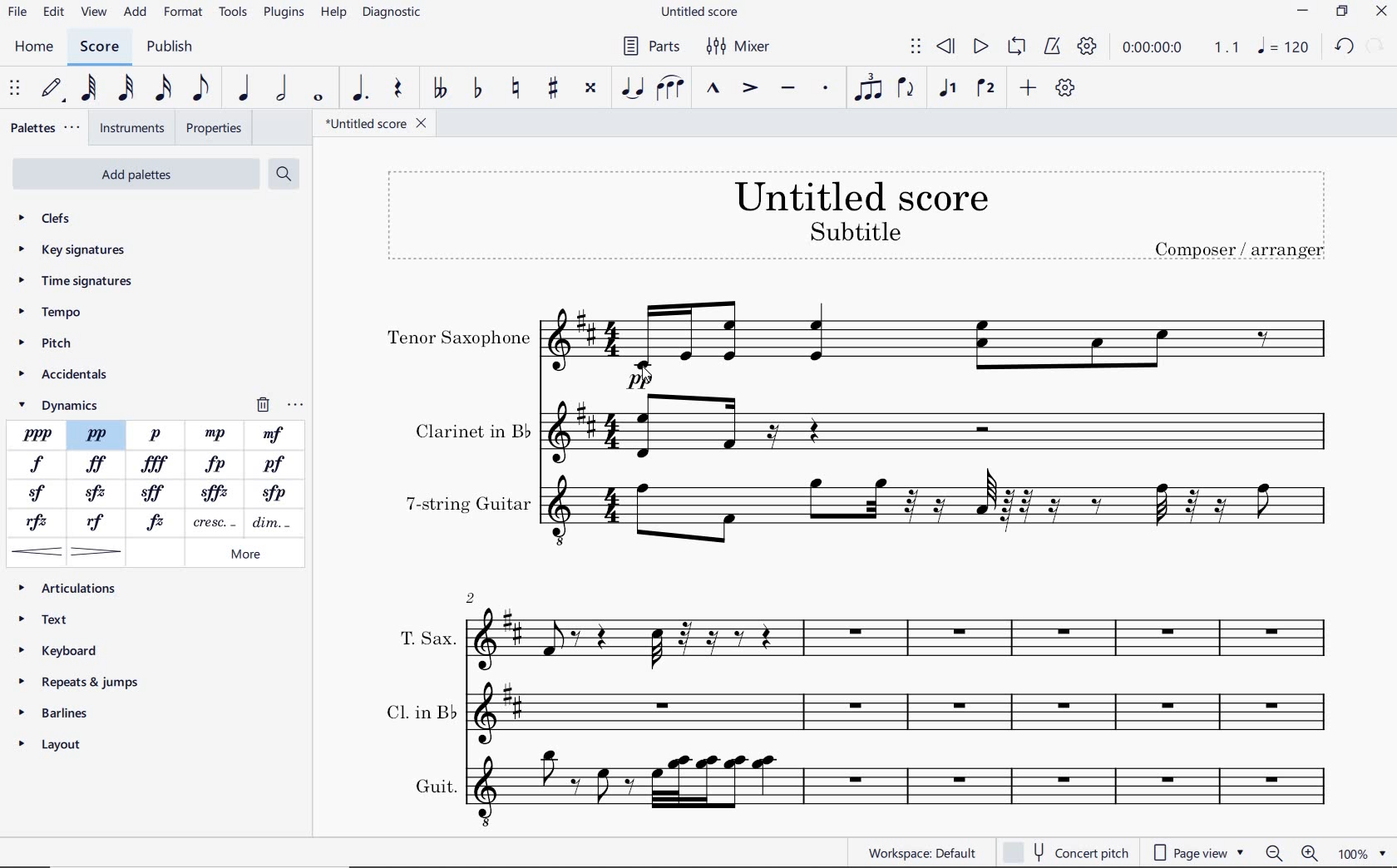  Describe the element at coordinates (165, 89) in the screenshot. I see `16TH NOTE` at that location.